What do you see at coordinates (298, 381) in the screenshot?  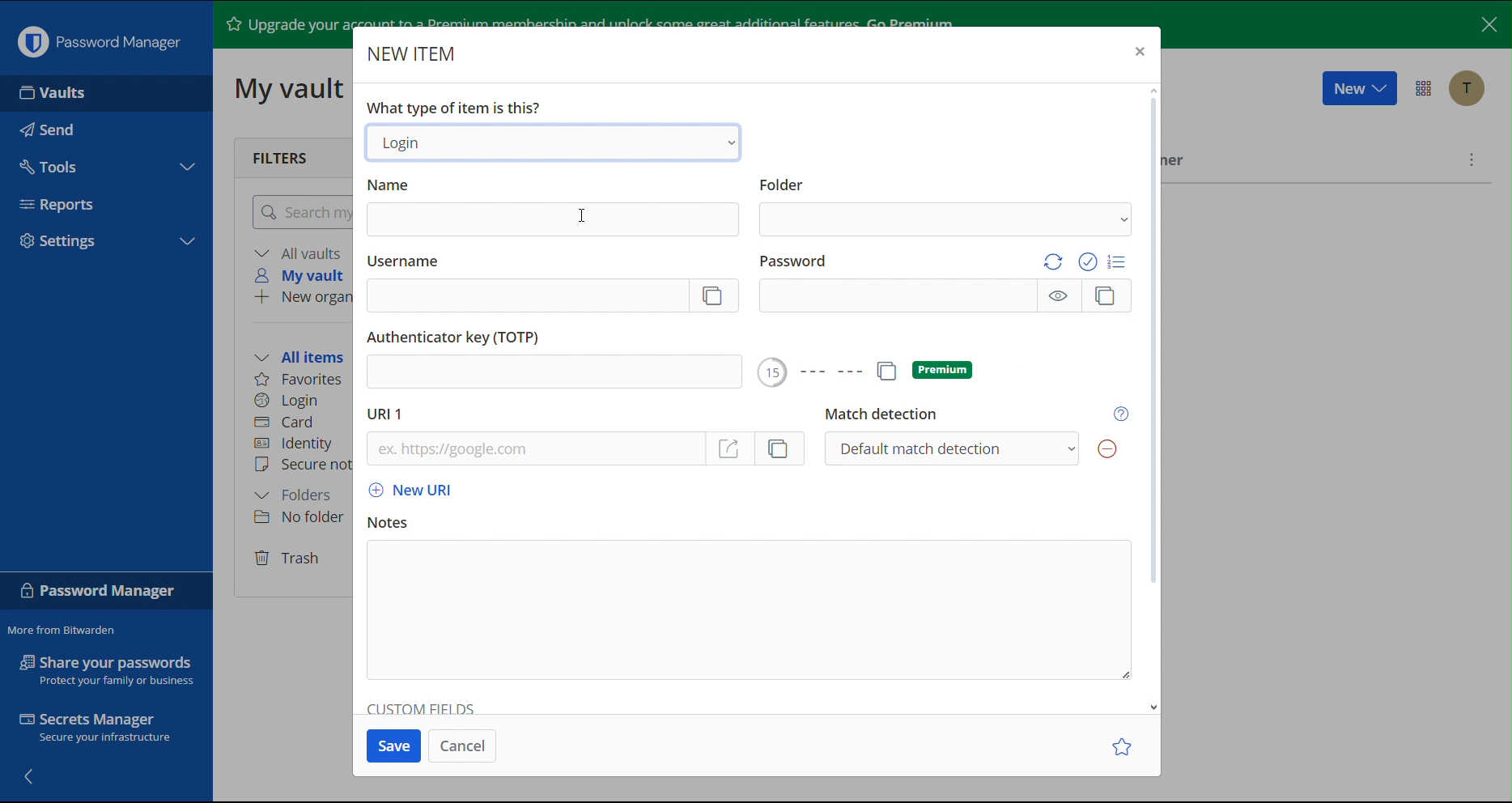 I see `Favorites` at bounding box center [298, 381].